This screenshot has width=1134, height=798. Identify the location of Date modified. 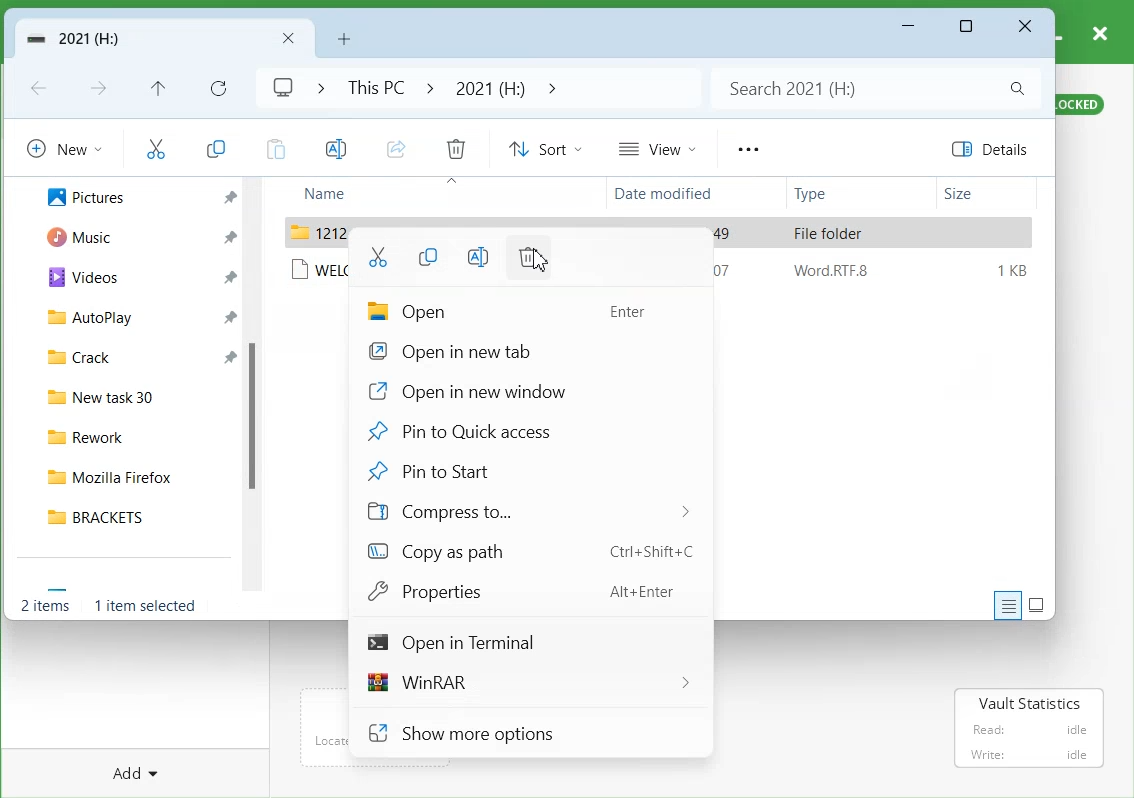
(669, 195).